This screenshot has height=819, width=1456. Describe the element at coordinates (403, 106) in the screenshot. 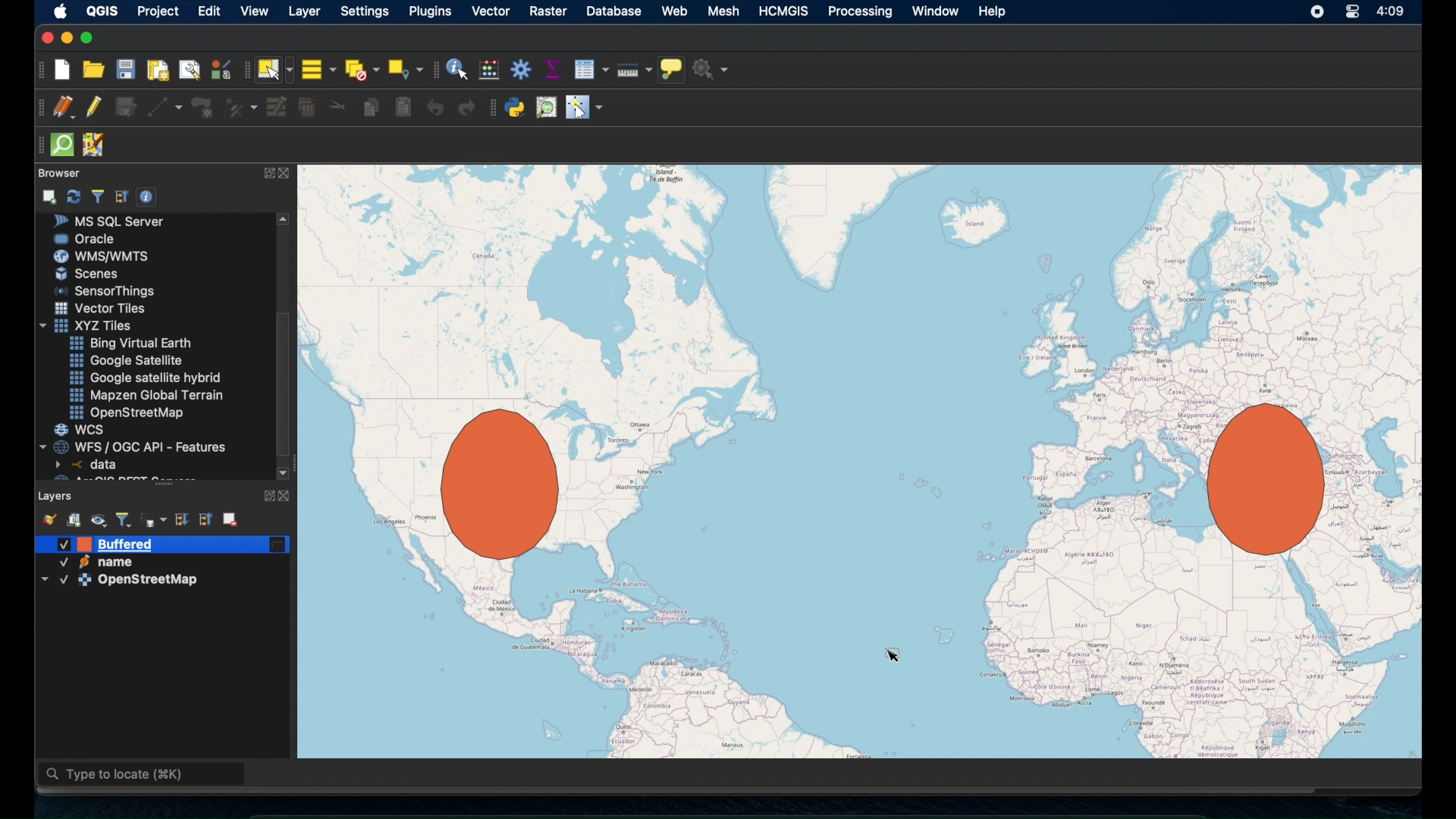

I see `paste features` at that location.